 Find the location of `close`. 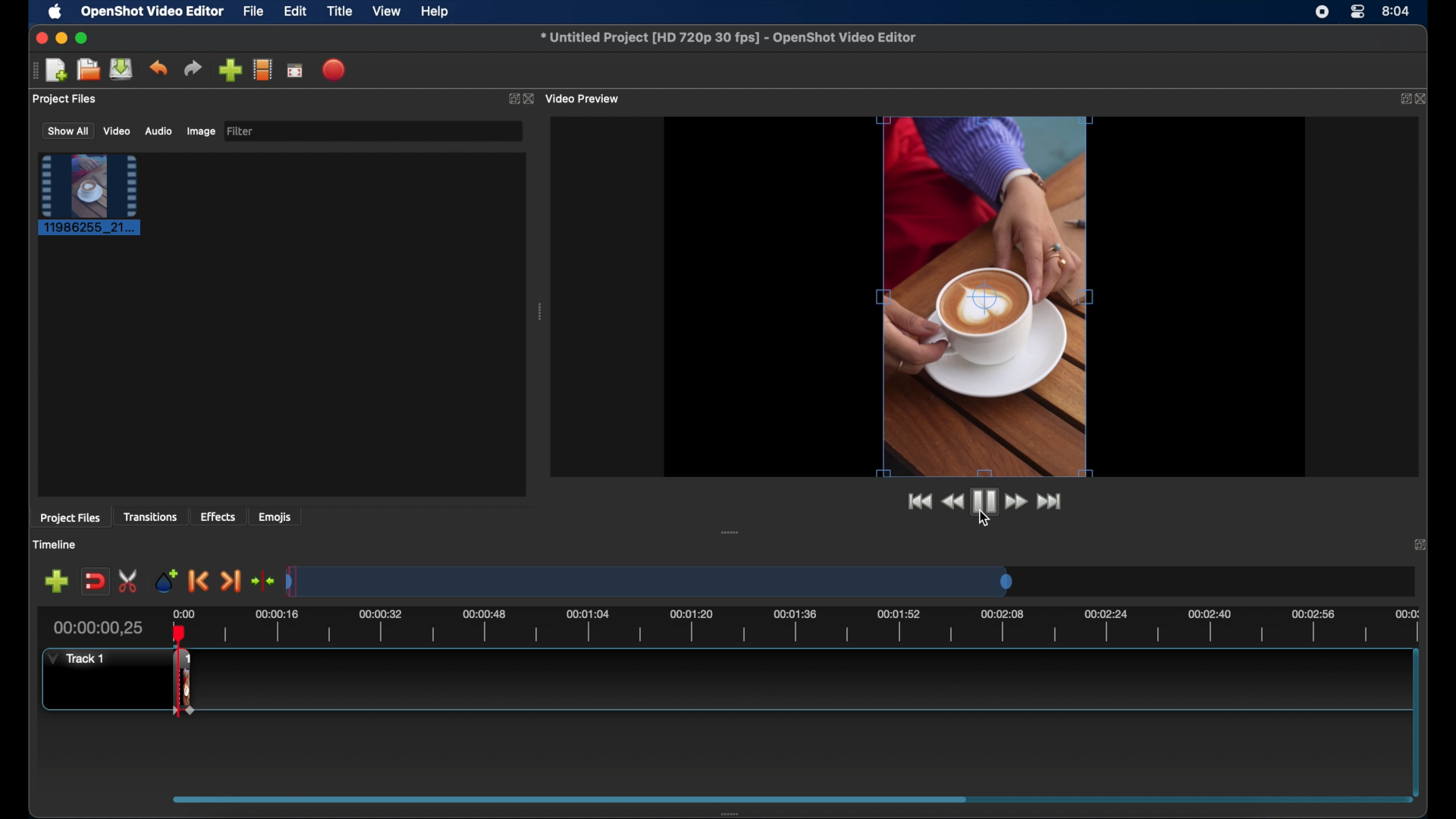

close is located at coordinates (529, 99).